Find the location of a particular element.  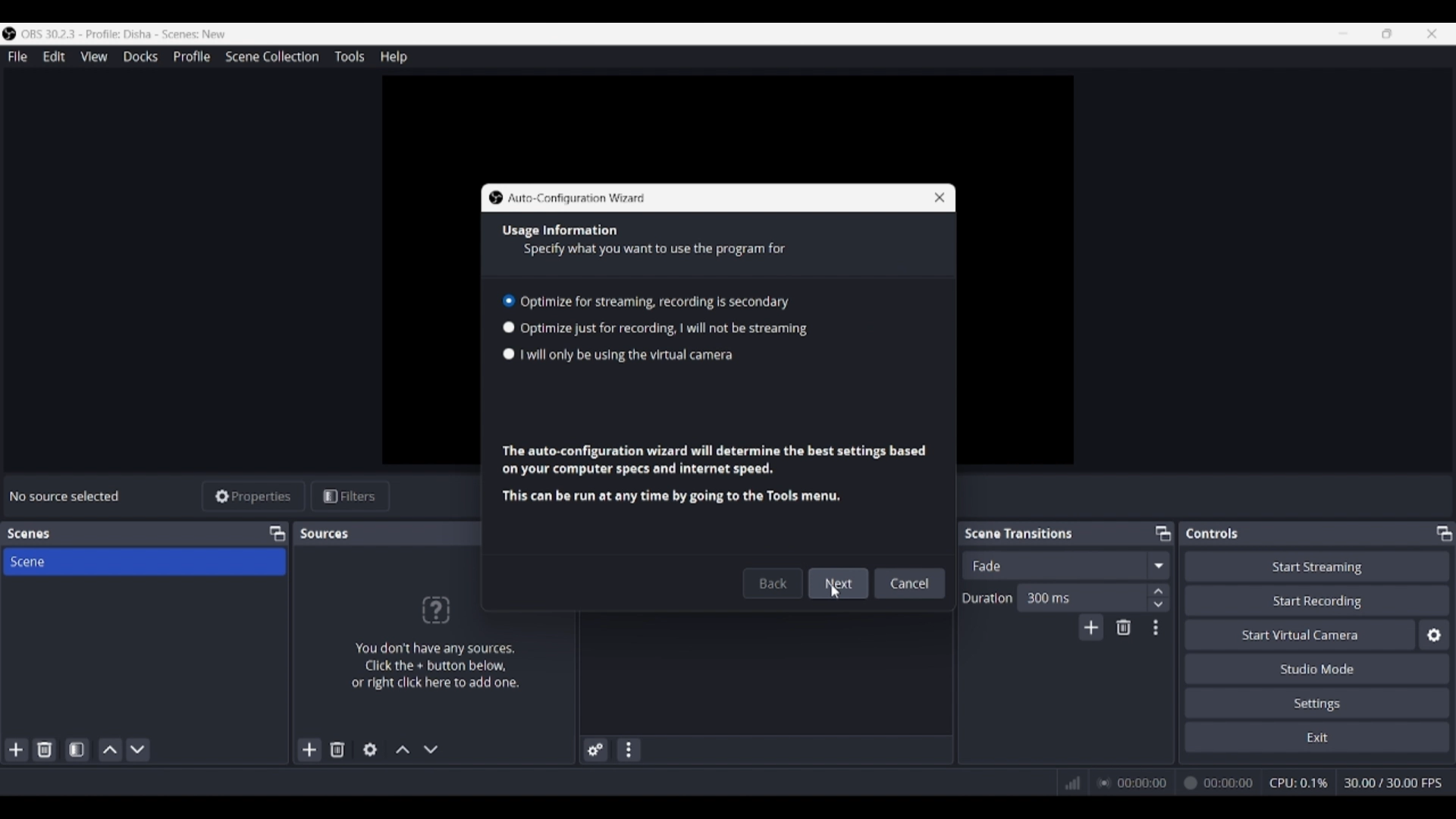

Start virtual camera is located at coordinates (1300, 634).